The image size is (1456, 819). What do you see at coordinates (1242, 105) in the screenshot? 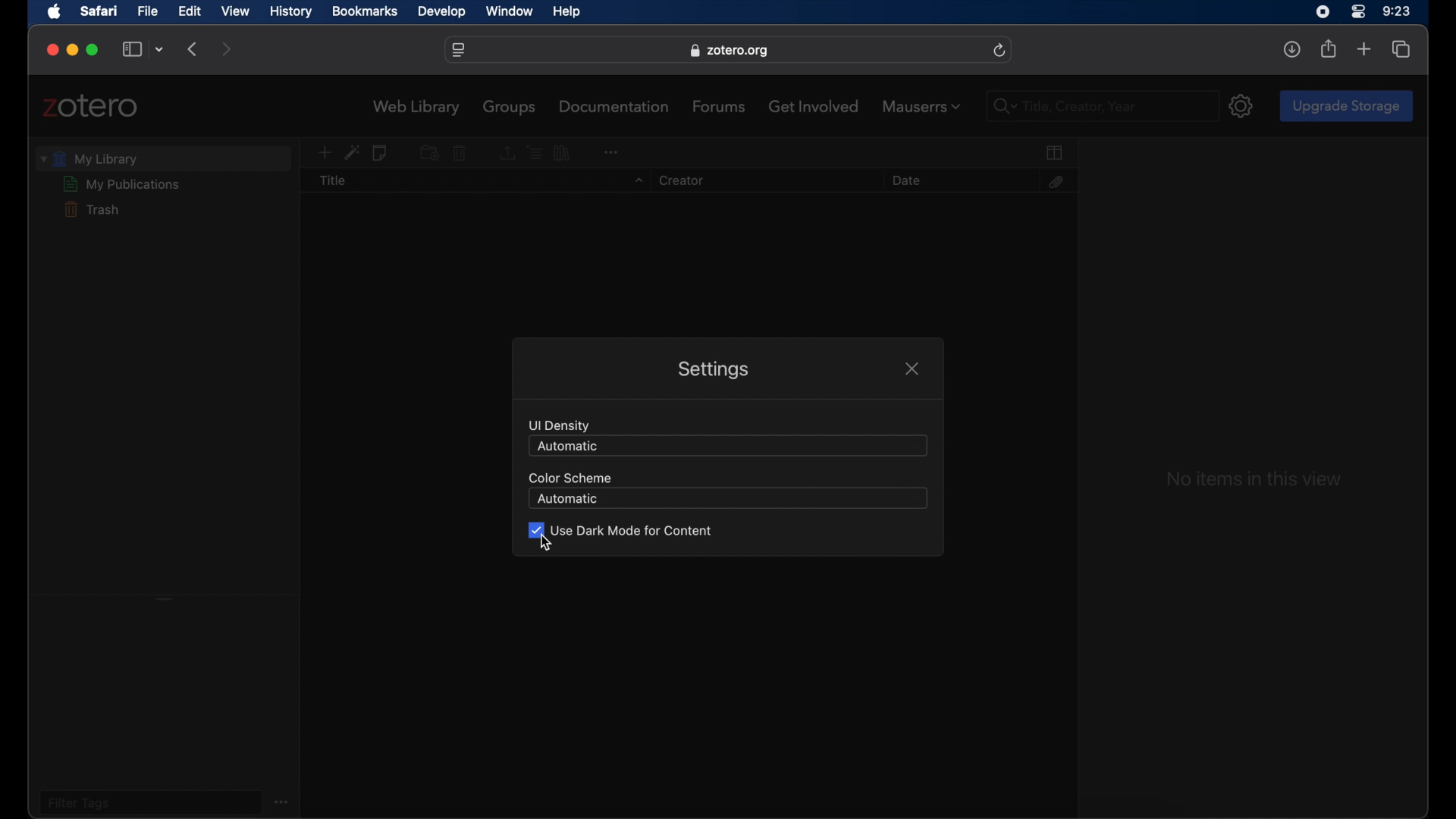
I see `settings` at bounding box center [1242, 105].